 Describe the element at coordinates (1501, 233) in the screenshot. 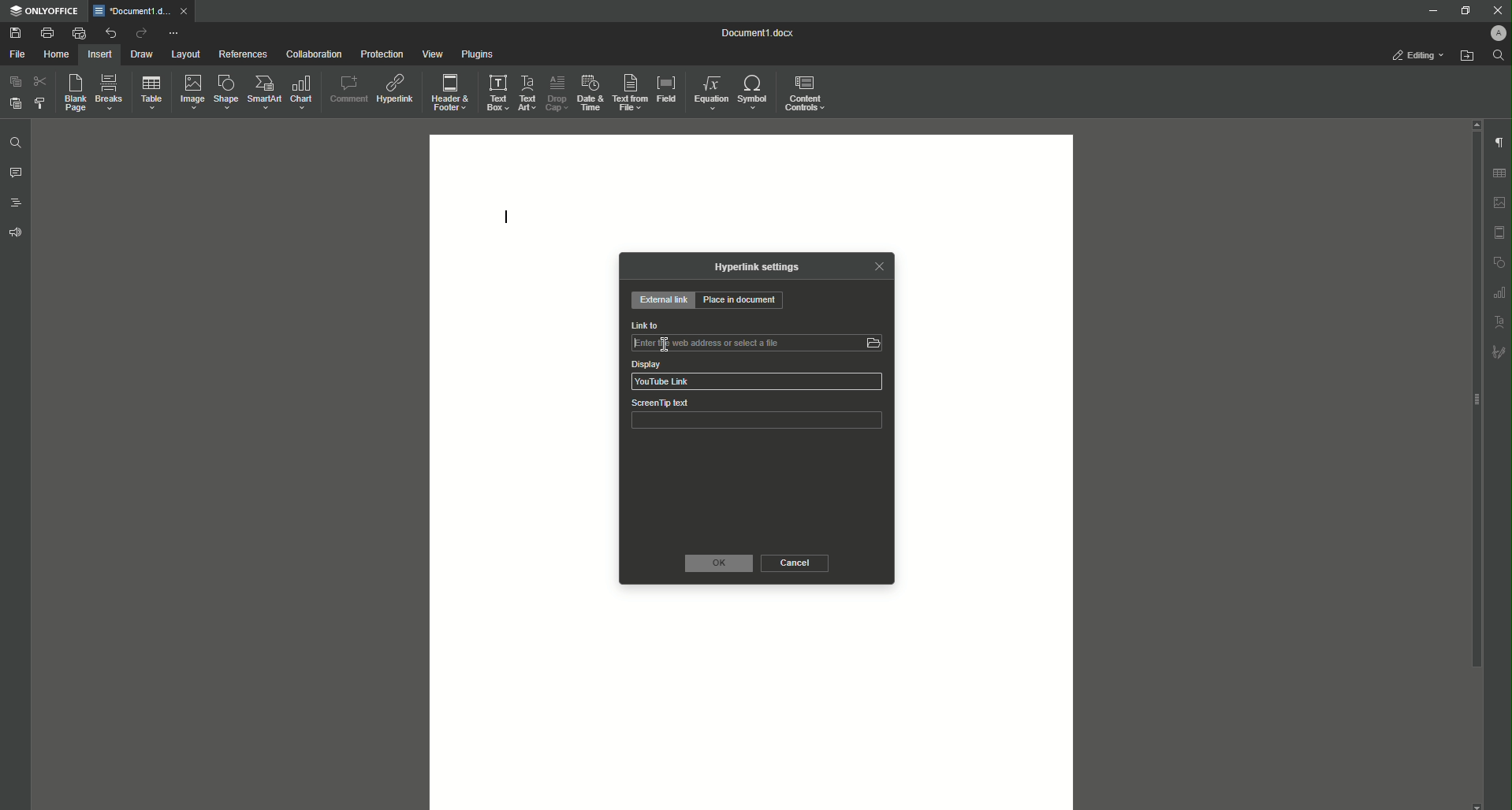

I see `Header & footer settings` at that location.